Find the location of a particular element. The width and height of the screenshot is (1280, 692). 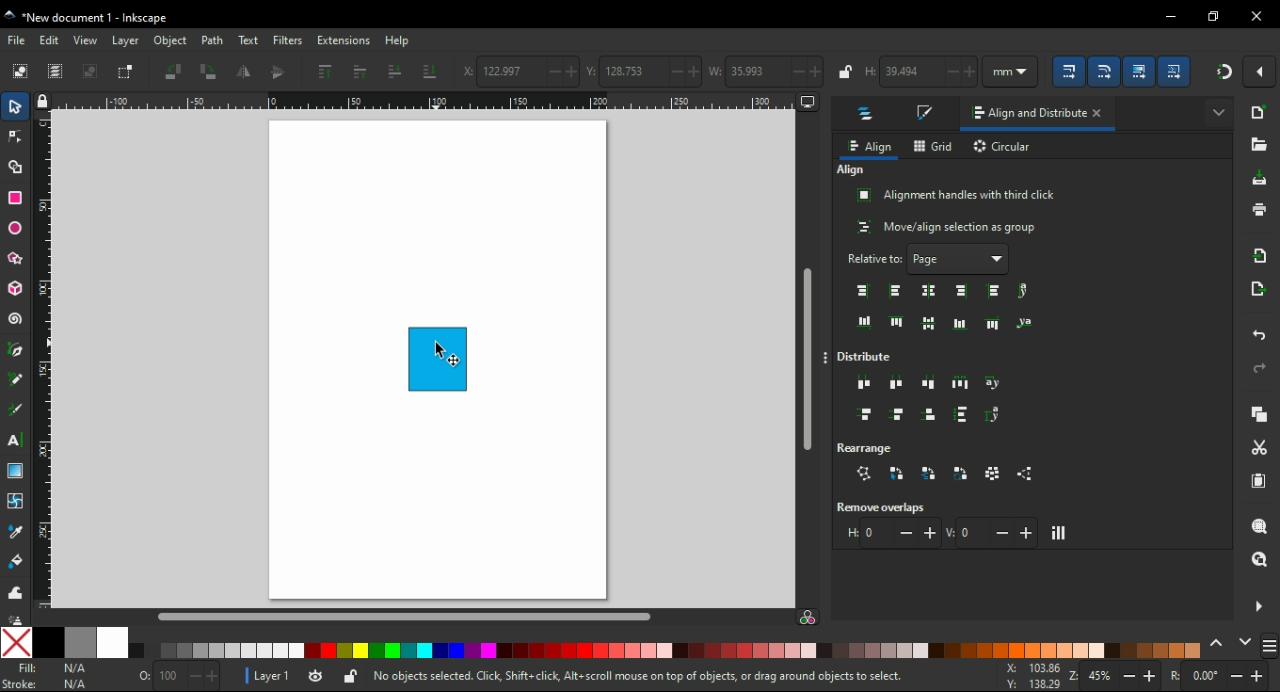

open dialogue is located at coordinates (1256, 146).